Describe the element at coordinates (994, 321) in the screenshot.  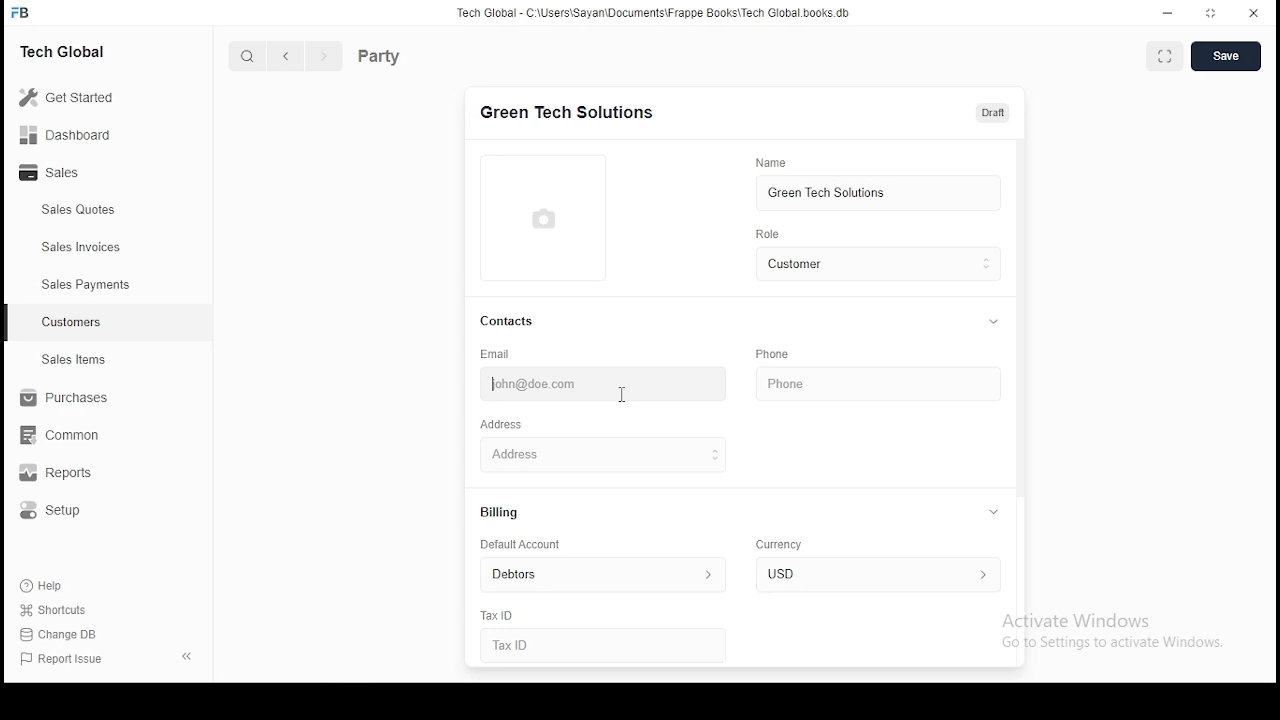
I see `collapse` at that location.